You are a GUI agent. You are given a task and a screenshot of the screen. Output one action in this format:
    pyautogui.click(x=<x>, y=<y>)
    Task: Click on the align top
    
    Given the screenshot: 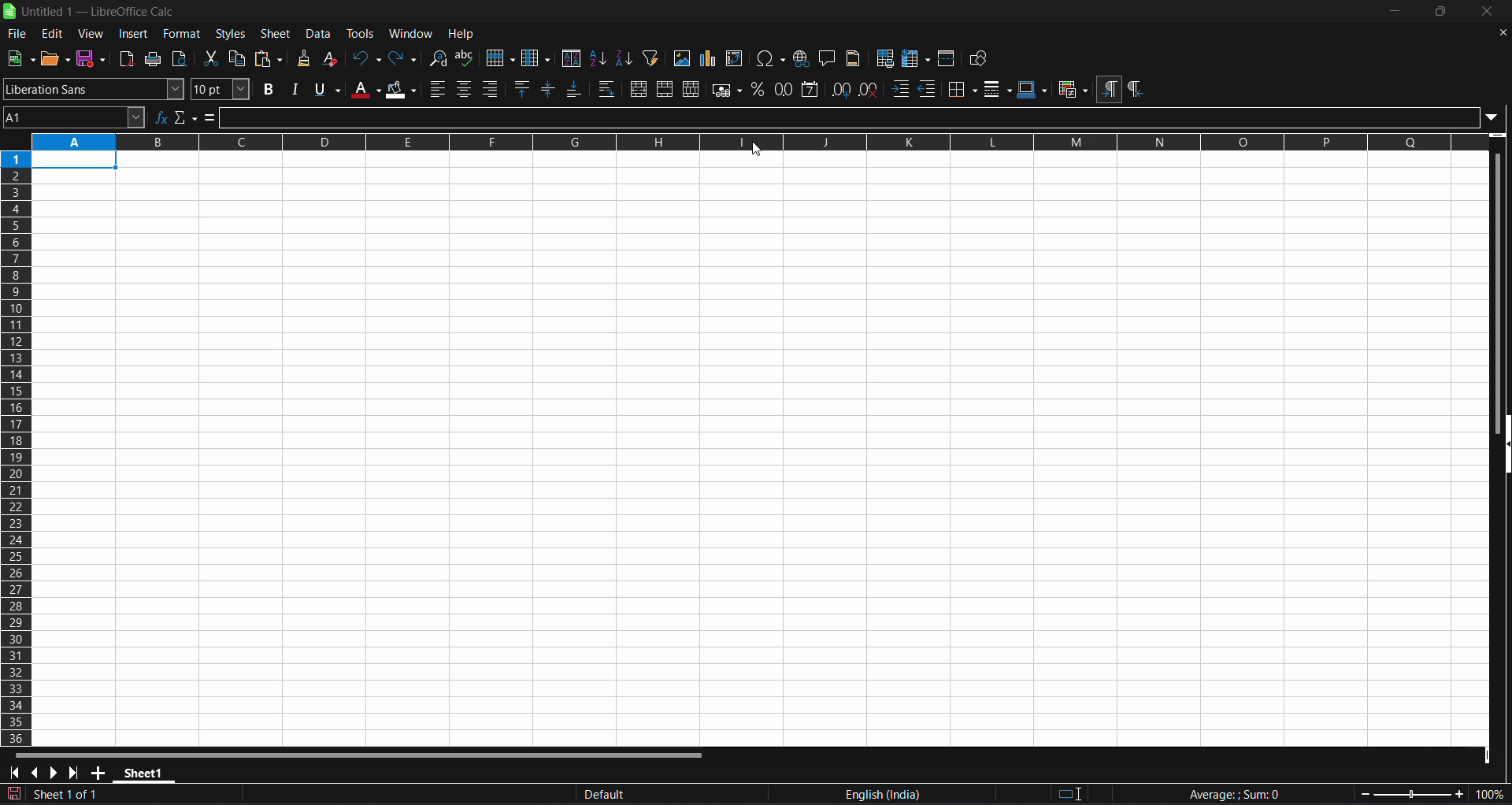 What is the action you would take?
    pyautogui.click(x=523, y=89)
    